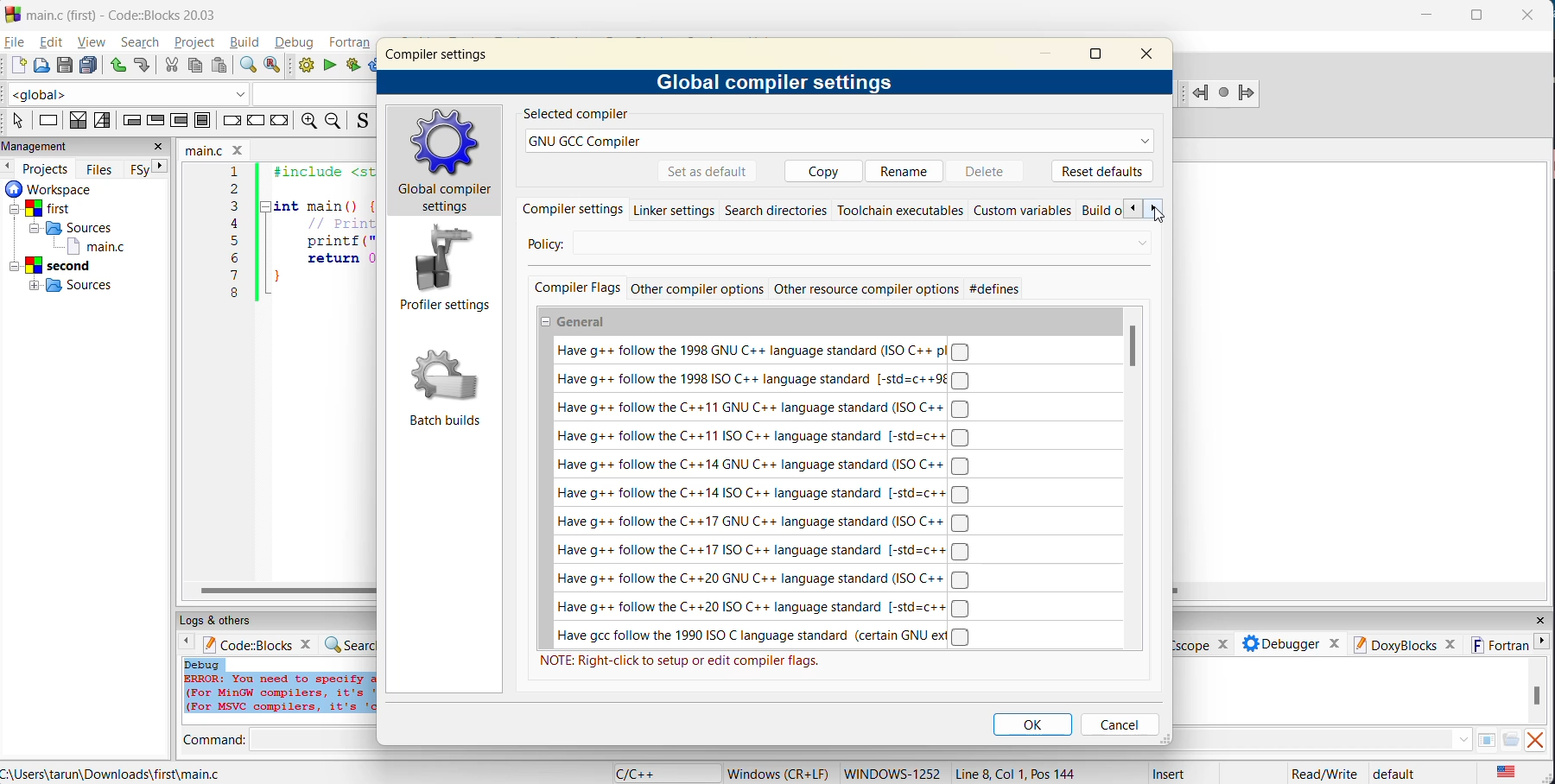 This screenshot has height=784, width=1555. What do you see at coordinates (447, 269) in the screenshot?
I see `profile settings` at bounding box center [447, 269].